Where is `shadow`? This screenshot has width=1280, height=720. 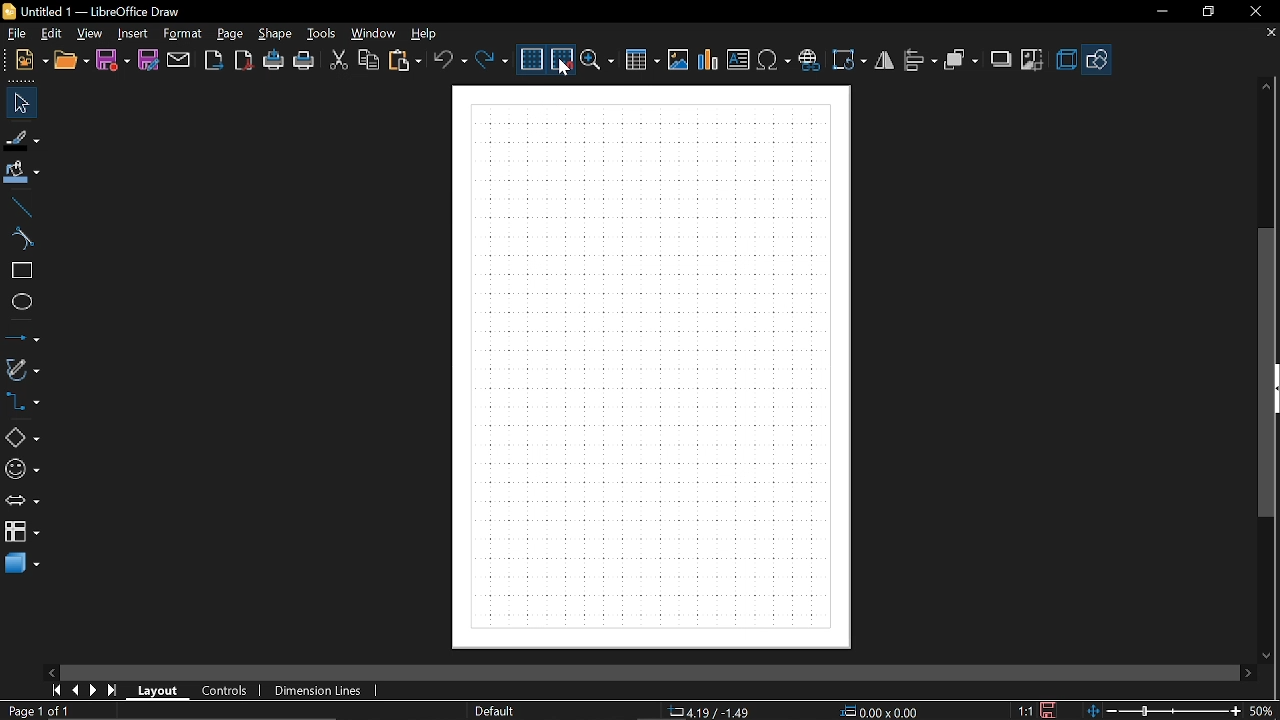
shadow is located at coordinates (1001, 60).